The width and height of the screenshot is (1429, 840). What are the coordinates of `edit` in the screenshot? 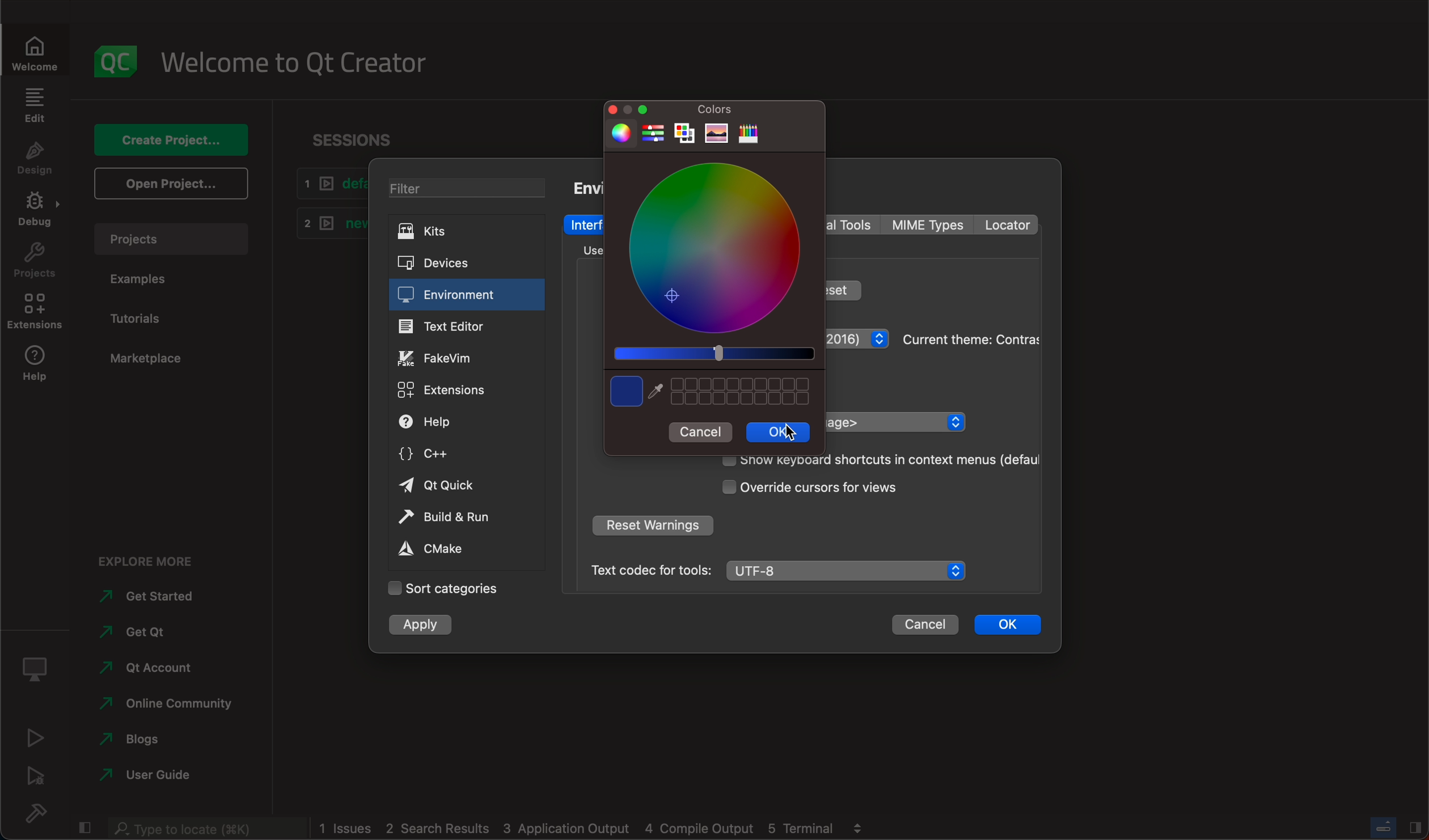 It's located at (34, 105).